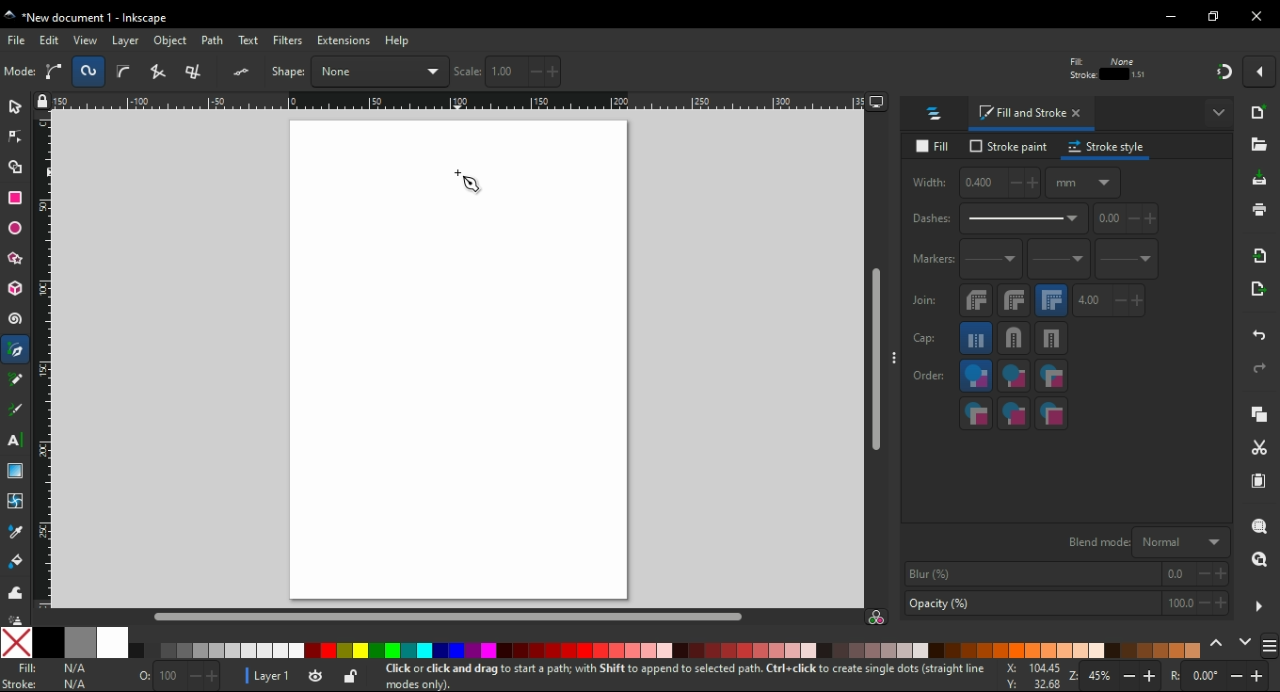 Image resolution: width=1280 pixels, height=692 pixels. I want to click on blend mode Normal, so click(1145, 541).